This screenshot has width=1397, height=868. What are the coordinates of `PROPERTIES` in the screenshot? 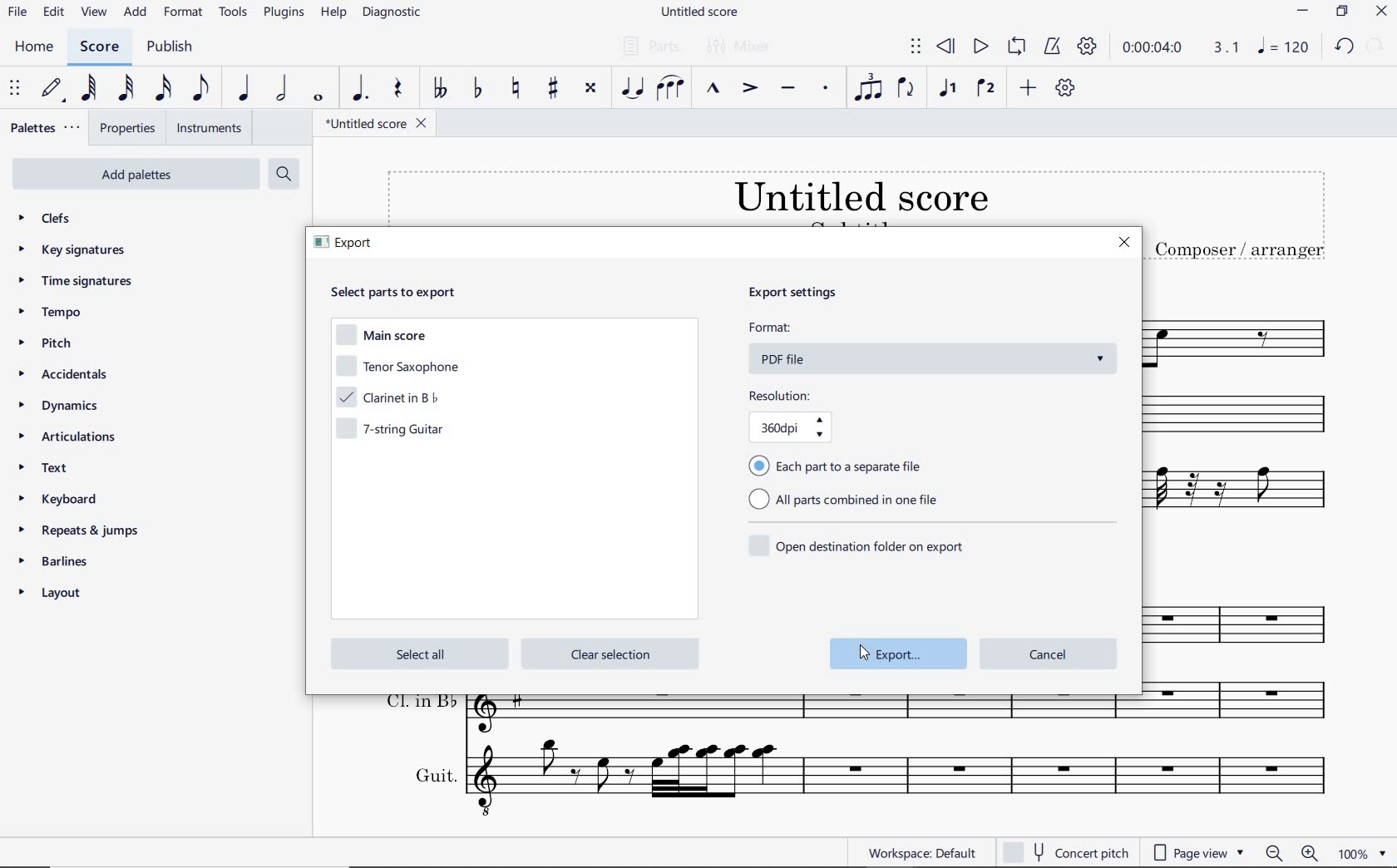 It's located at (128, 128).